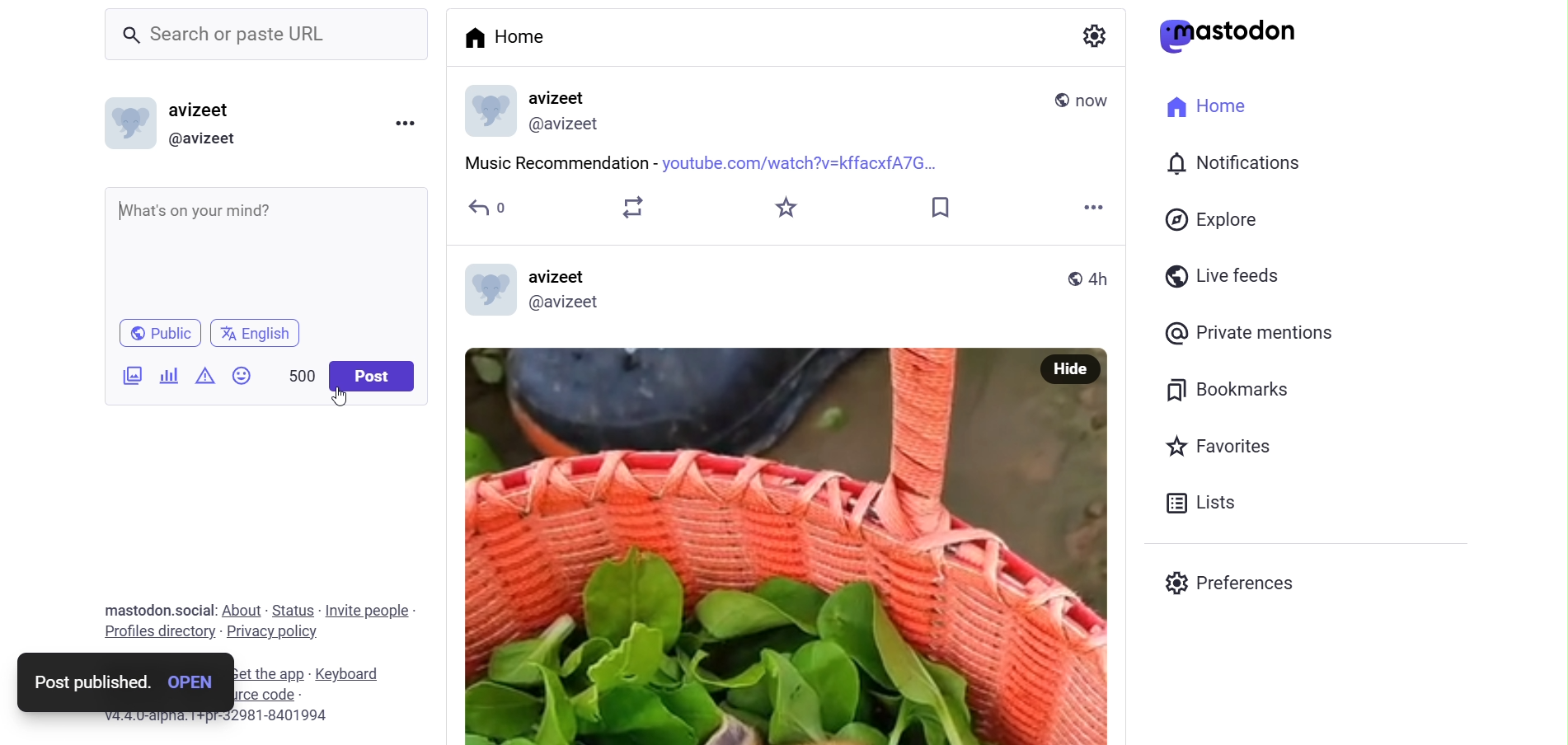 This screenshot has width=1568, height=745. What do you see at coordinates (940, 207) in the screenshot?
I see `bookmark` at bounding box center [940, 207].